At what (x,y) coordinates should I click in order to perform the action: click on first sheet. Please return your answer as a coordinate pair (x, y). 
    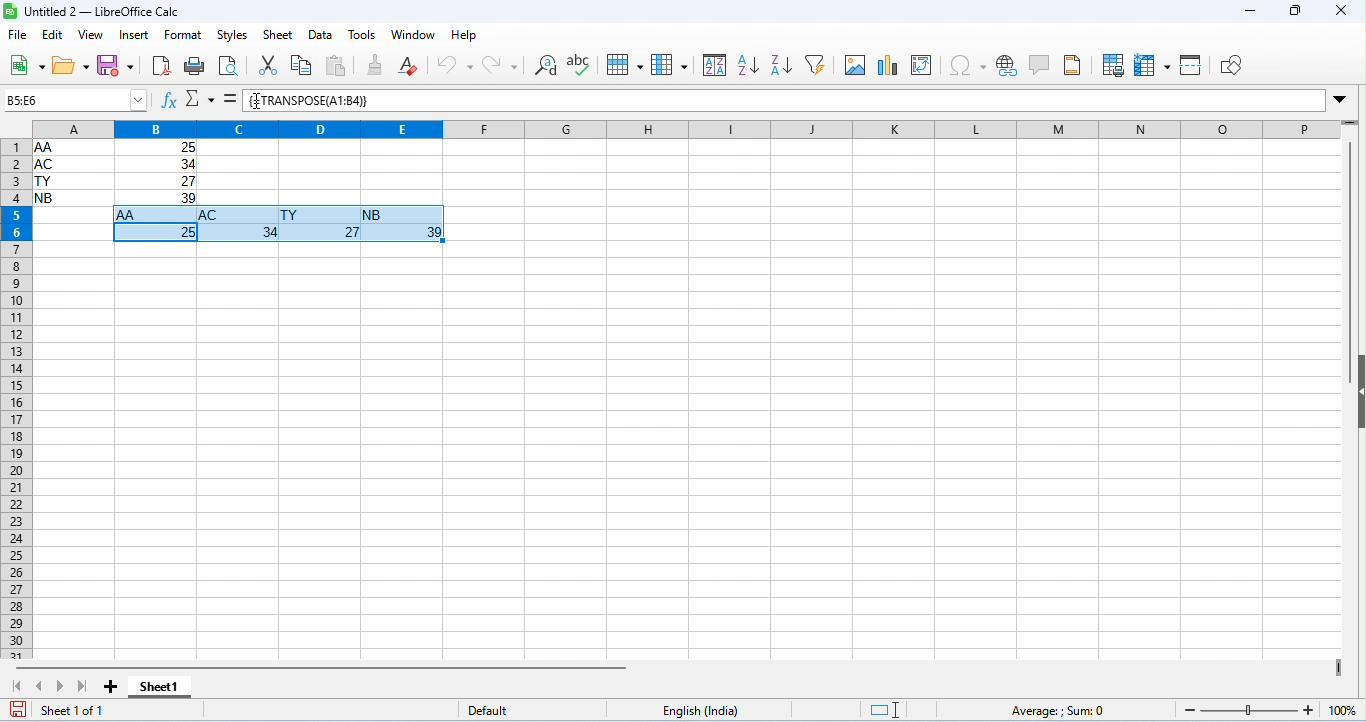
    Looking at the image, I should click on (19, 685).